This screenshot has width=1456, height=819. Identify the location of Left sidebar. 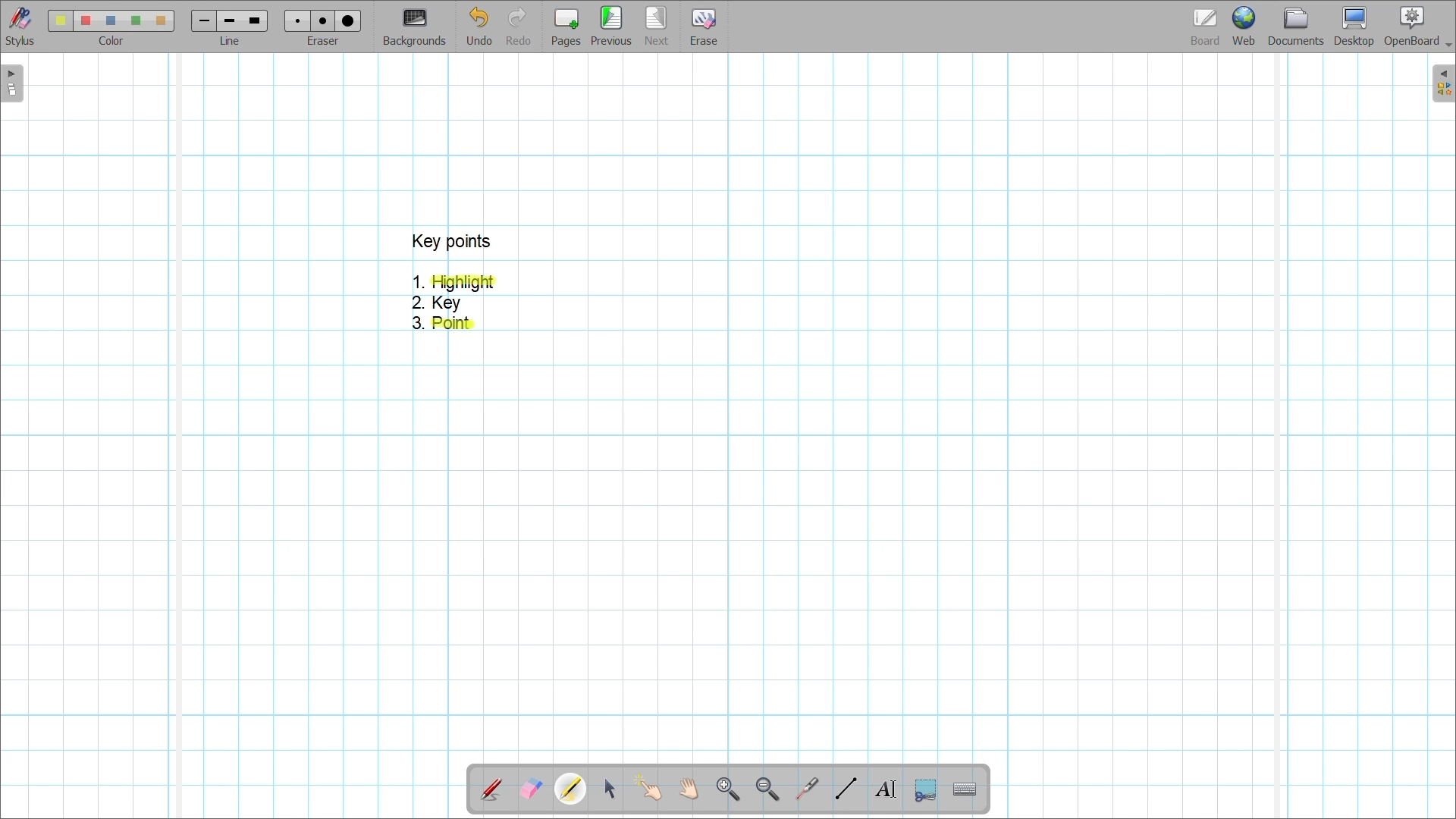
(12, 83).